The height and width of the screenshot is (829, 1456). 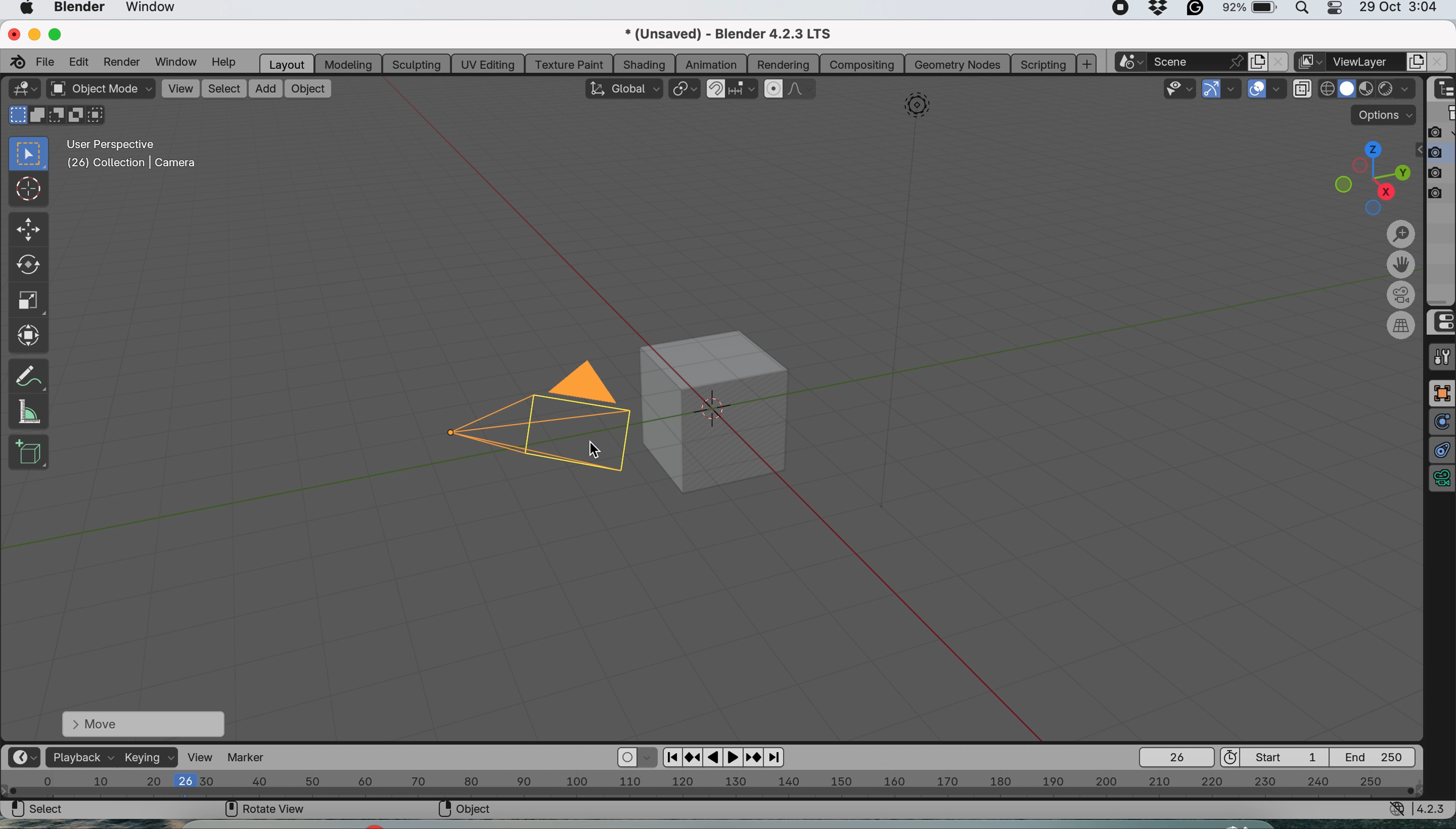 What do you see at coordinates (1379, 756) in the screenshot?
I see `final frame` at bounding box center [1379, 756].